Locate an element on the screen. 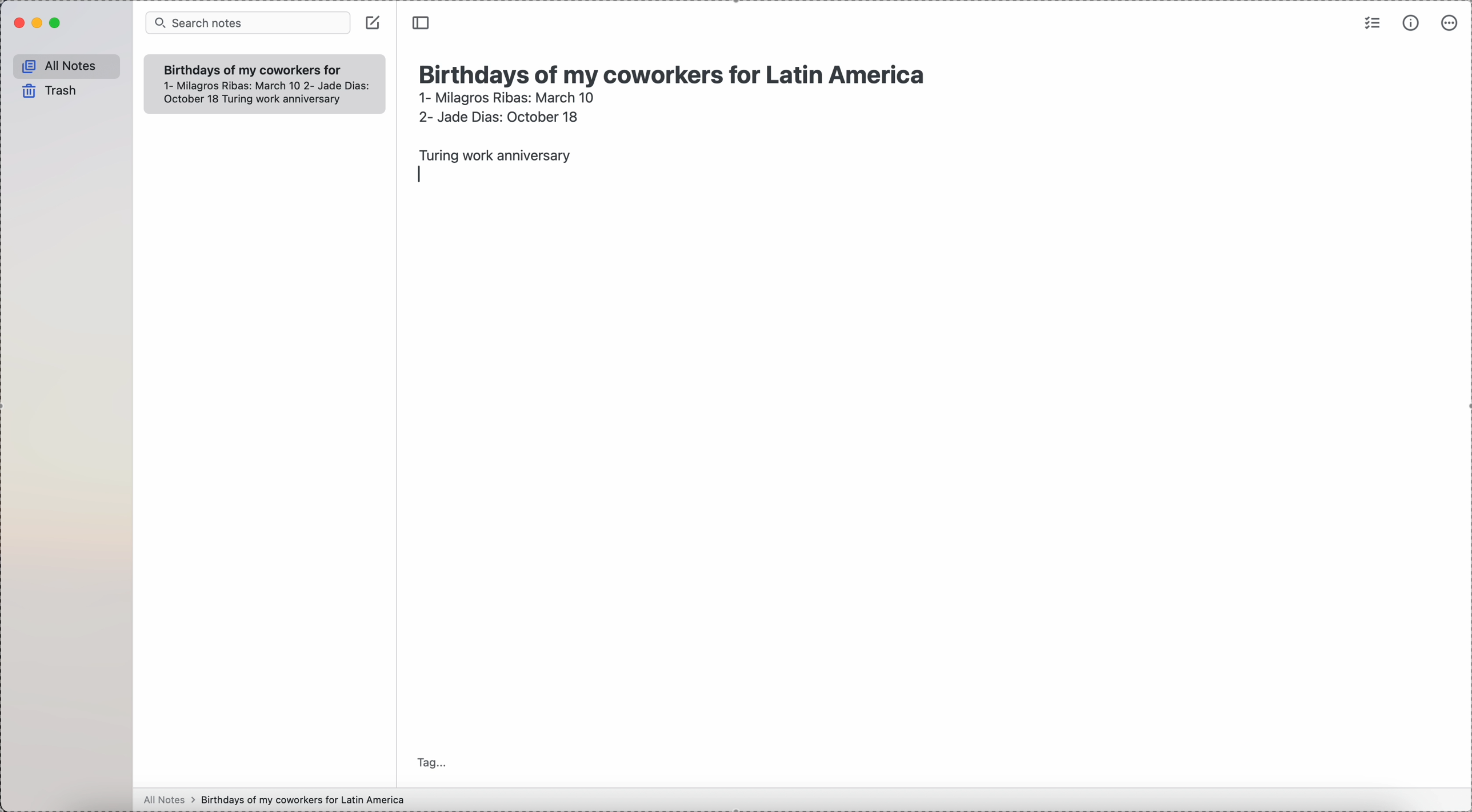 This screenshot has height=812, width=1472. 2- Jade Dias: October 18 is located at coordinates (497, 115).